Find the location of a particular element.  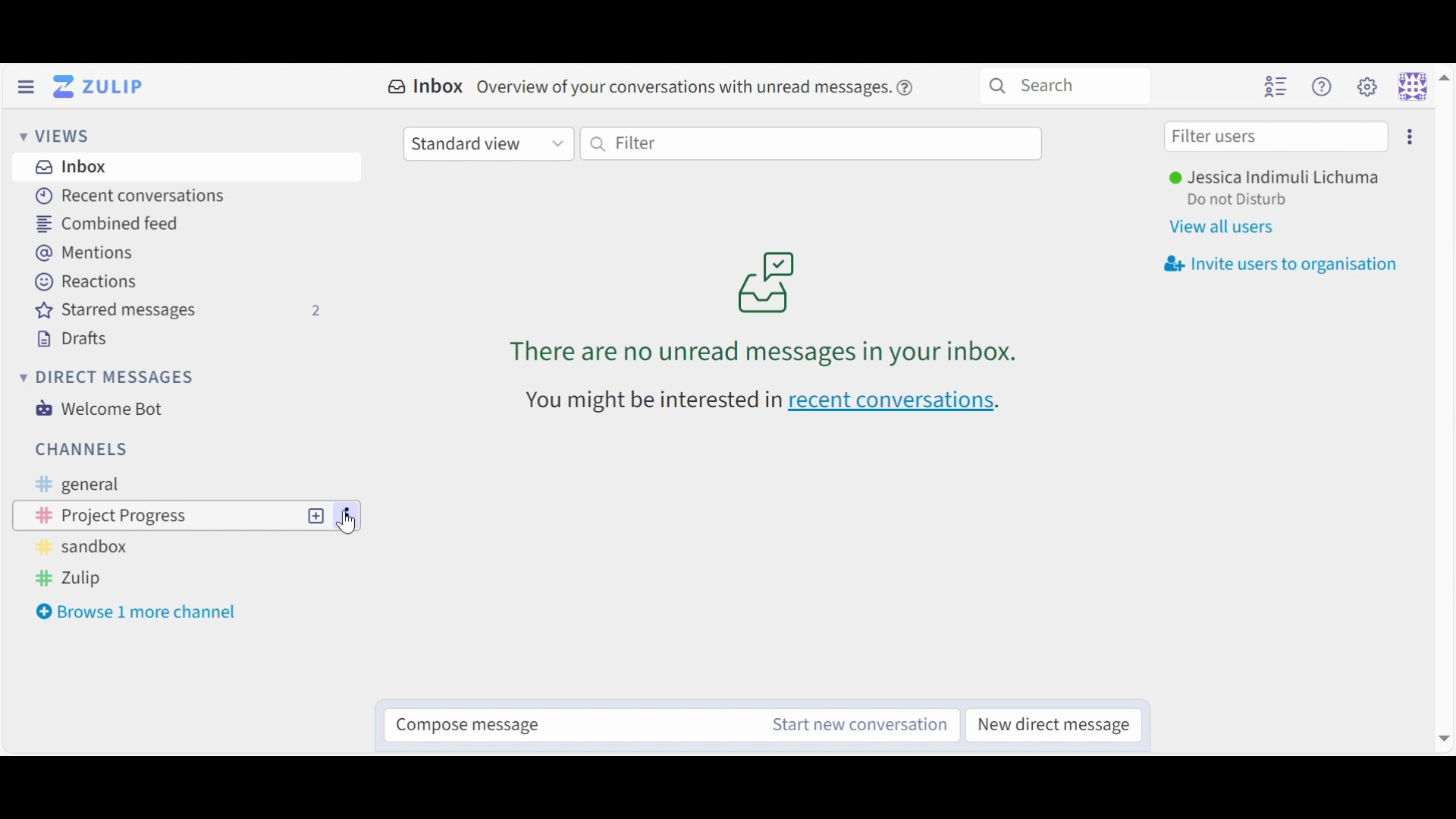

Direct messages is located at coordinates (111, 381).